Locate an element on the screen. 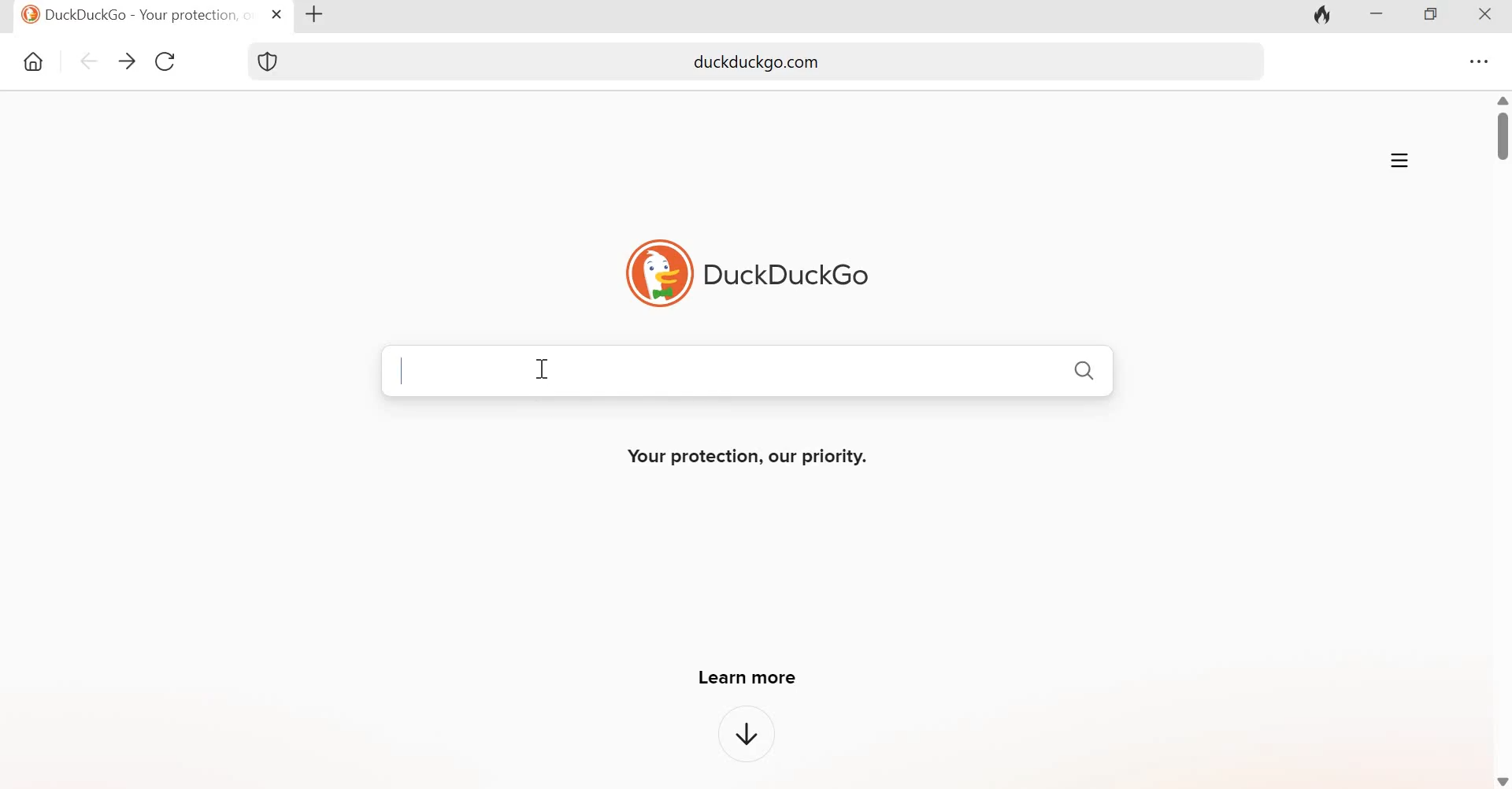 This screenshot has height=789, width=1512. Fire  is located at coordinates (1322, 17).